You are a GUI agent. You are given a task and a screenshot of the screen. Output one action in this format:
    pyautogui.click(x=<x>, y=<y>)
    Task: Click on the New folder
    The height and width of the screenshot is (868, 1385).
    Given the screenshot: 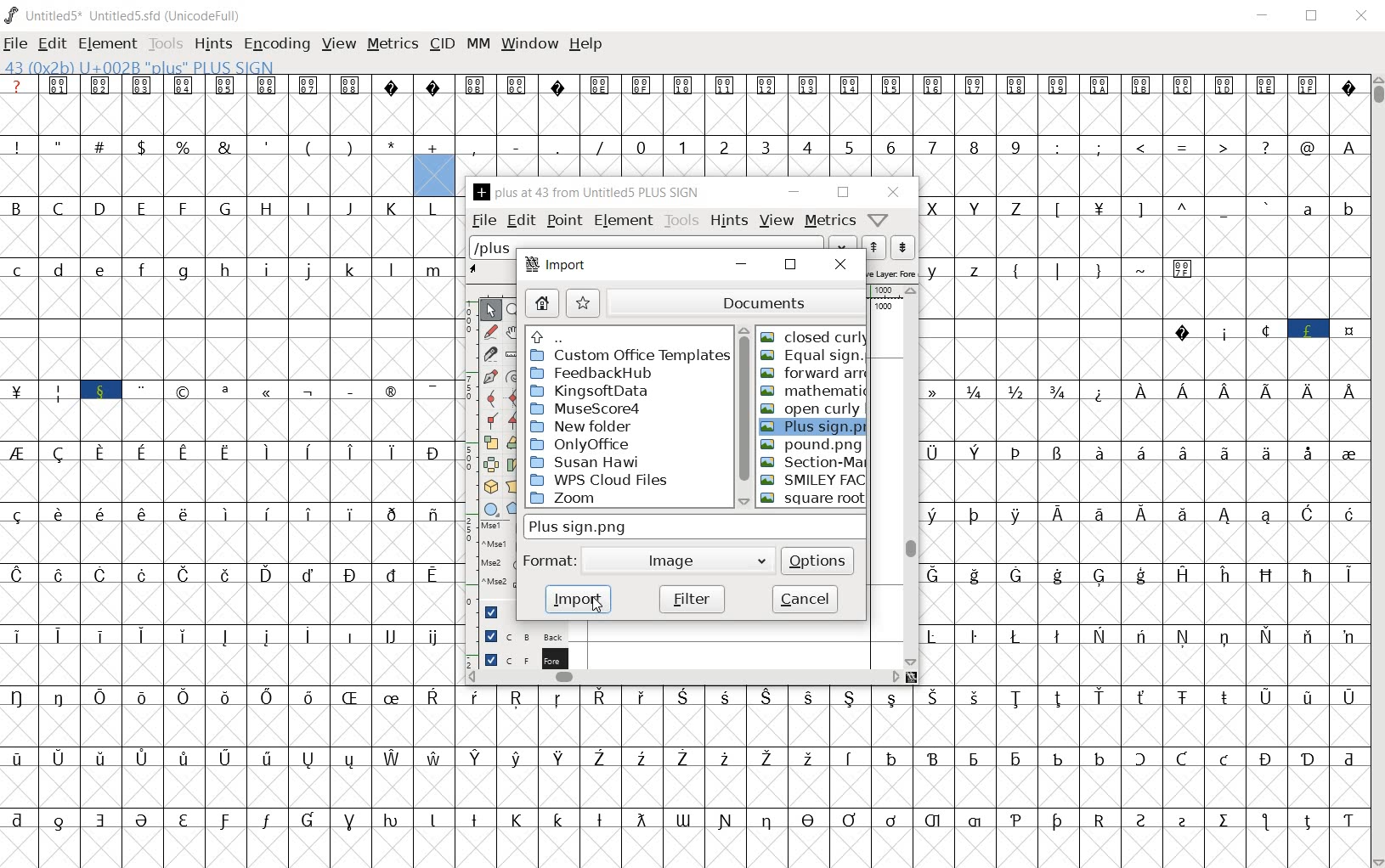 What is the action you would take?
    pyautogui.click(x=583, y=426)
    